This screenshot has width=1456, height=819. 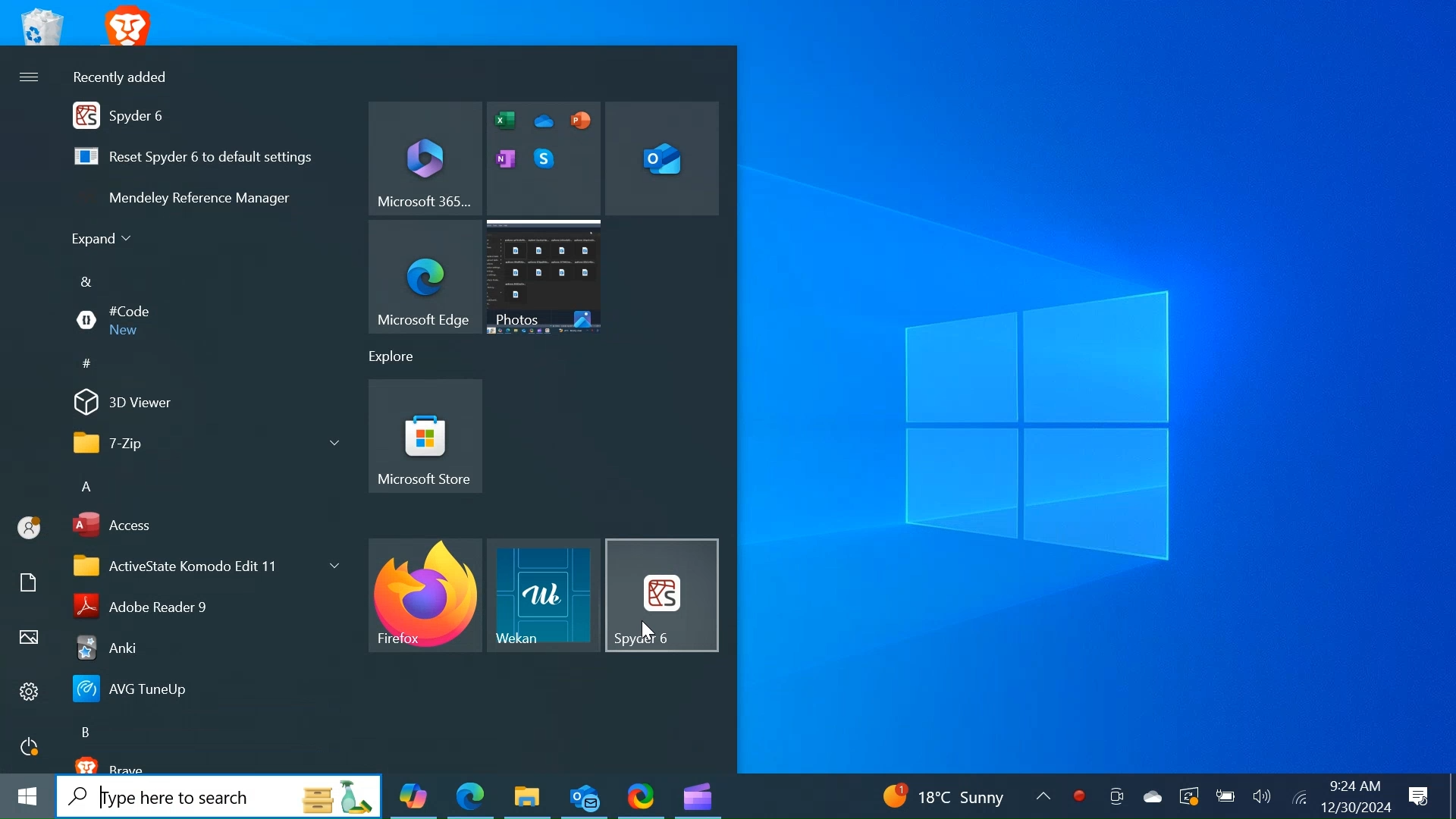 What do you see at coordinates (202, 405) in the screenshot?
I see `3D Viewer` at bounding box center [202, 405].